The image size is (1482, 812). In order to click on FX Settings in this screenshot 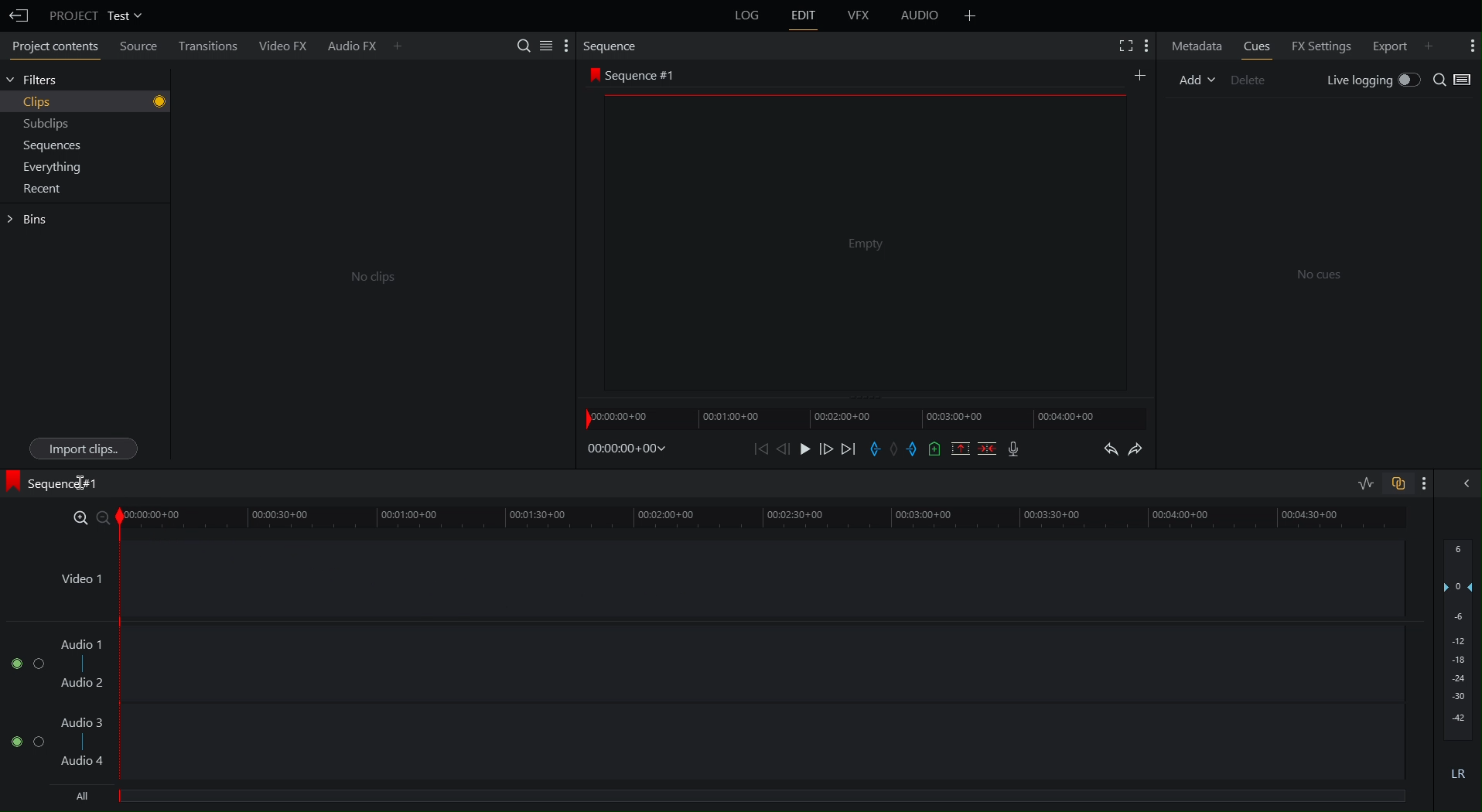, I will do `click(1325, 44)`.